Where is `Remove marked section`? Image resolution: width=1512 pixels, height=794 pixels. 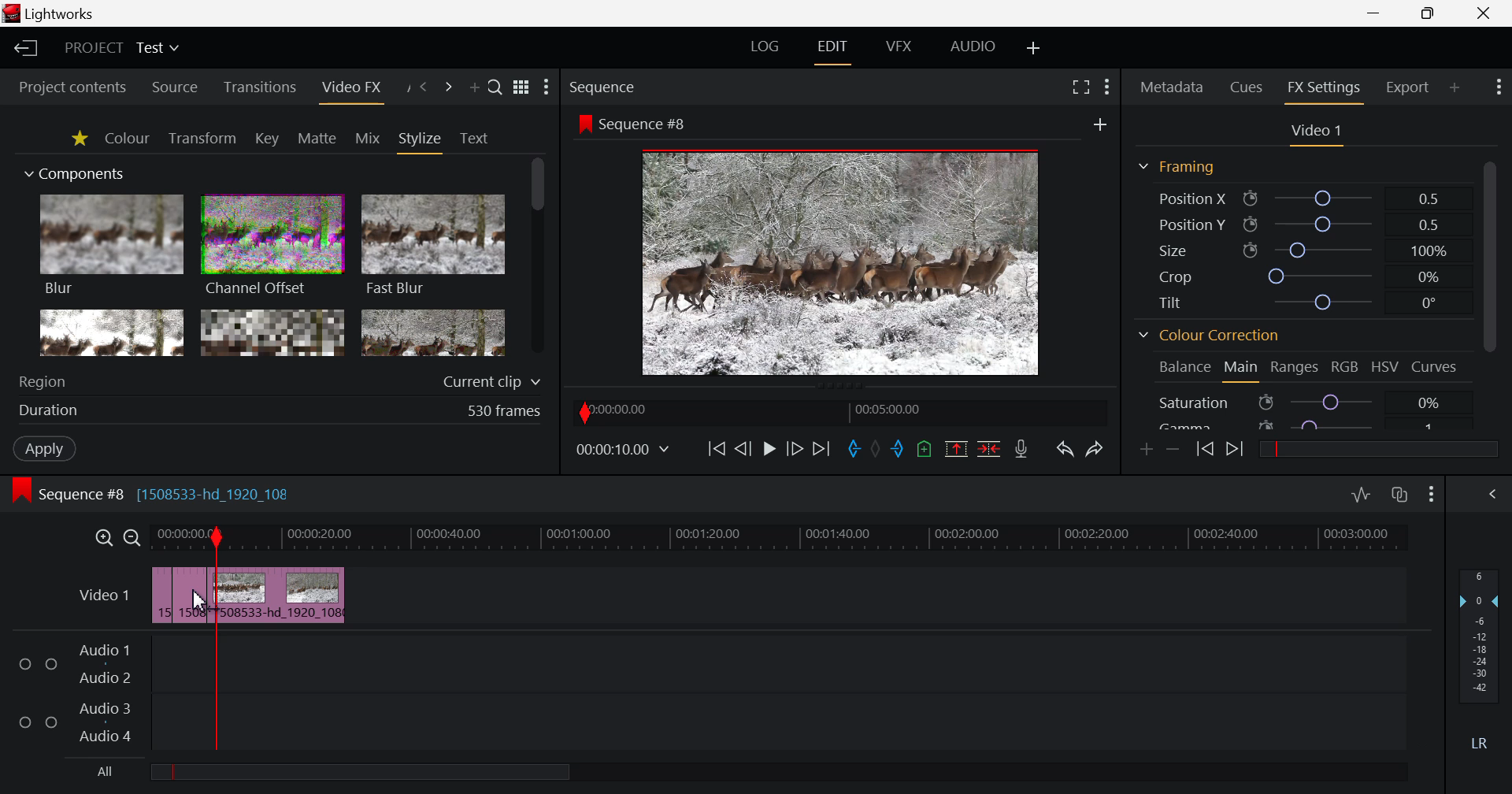 Remove marked section is located at coordinates (958, 451).